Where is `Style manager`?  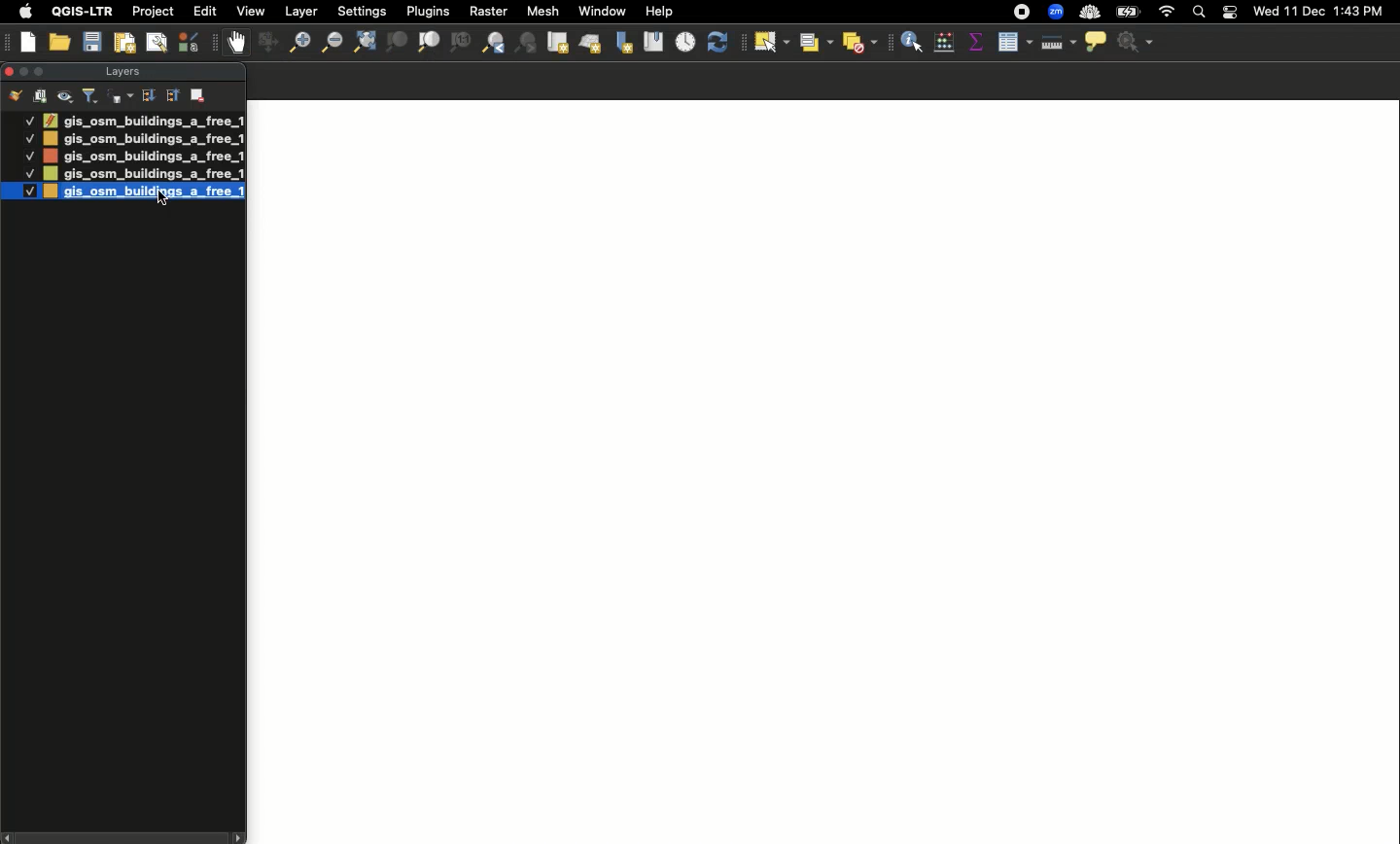 Style manager is located at coordinates (191, 42).